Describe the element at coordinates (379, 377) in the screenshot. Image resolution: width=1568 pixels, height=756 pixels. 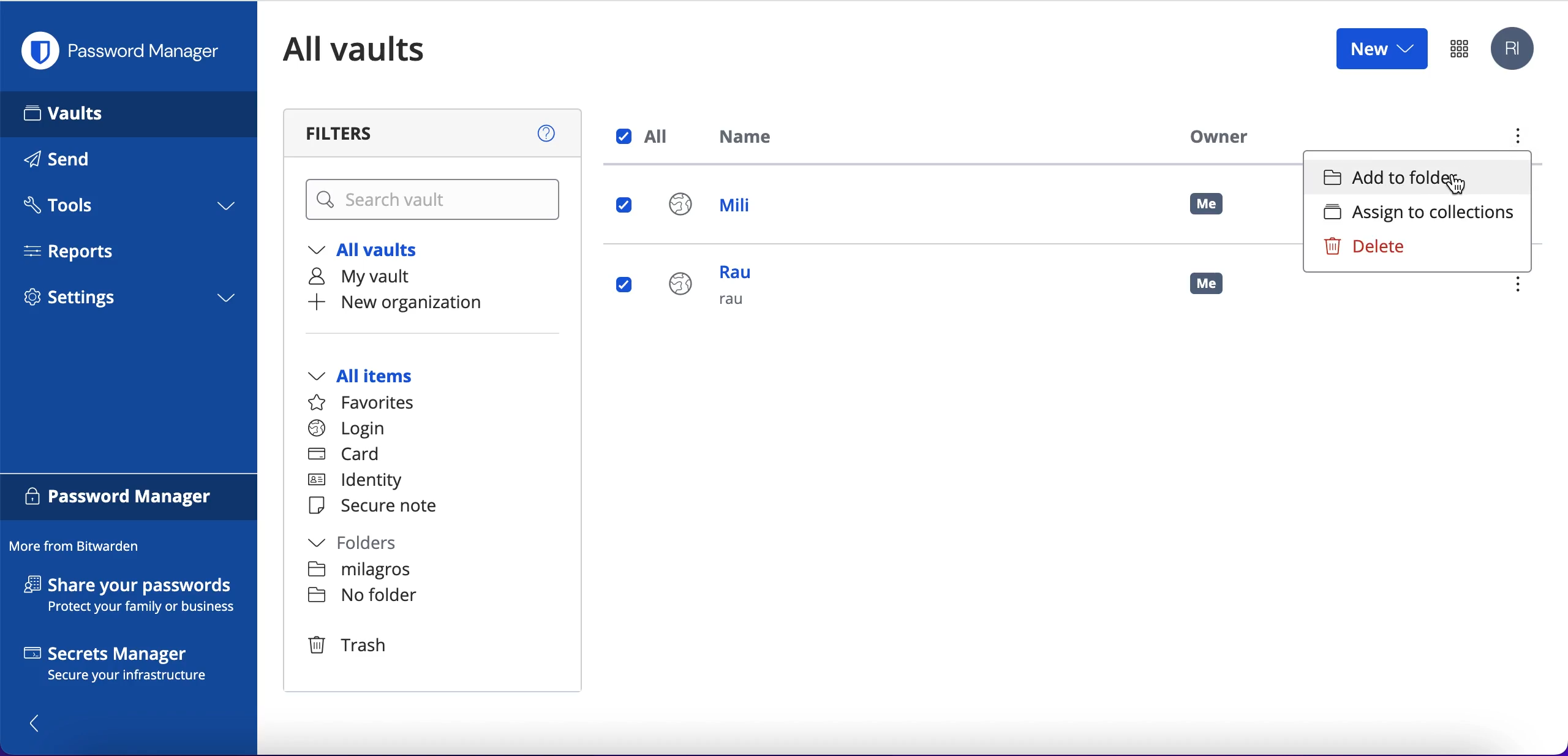
I see `all items` at that location.